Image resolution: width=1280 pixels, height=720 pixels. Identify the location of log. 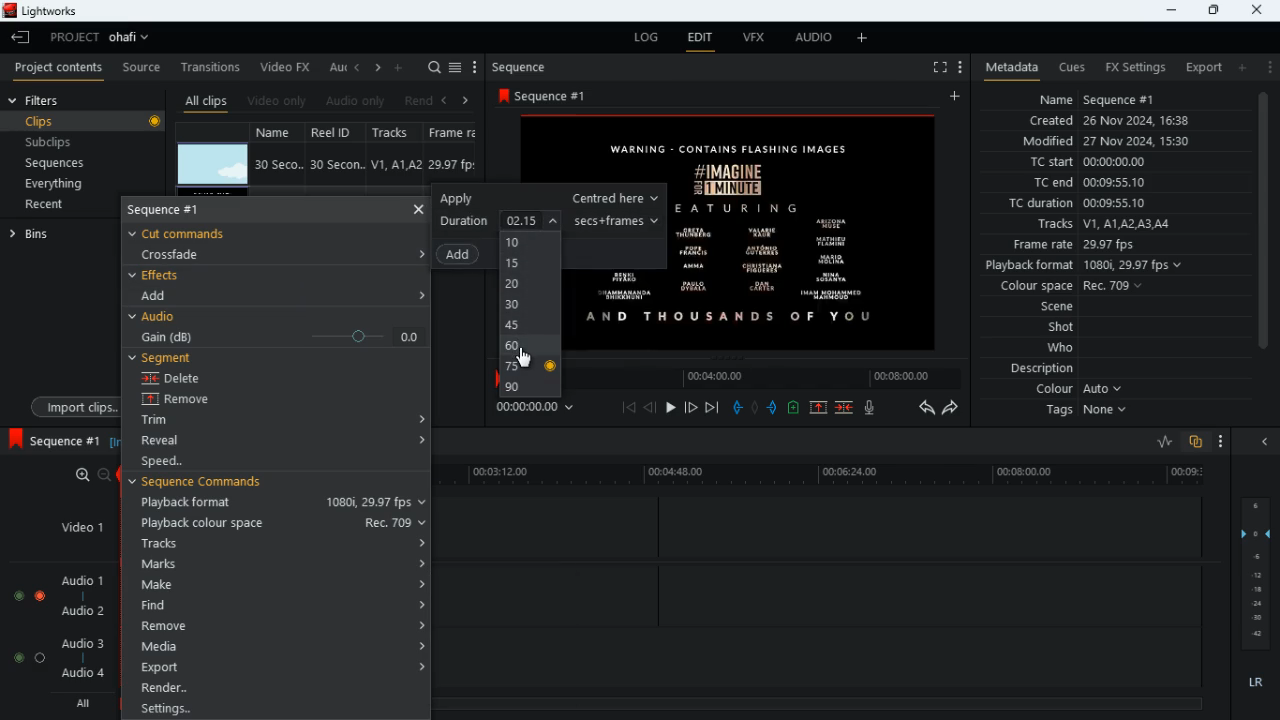
(642, 38).